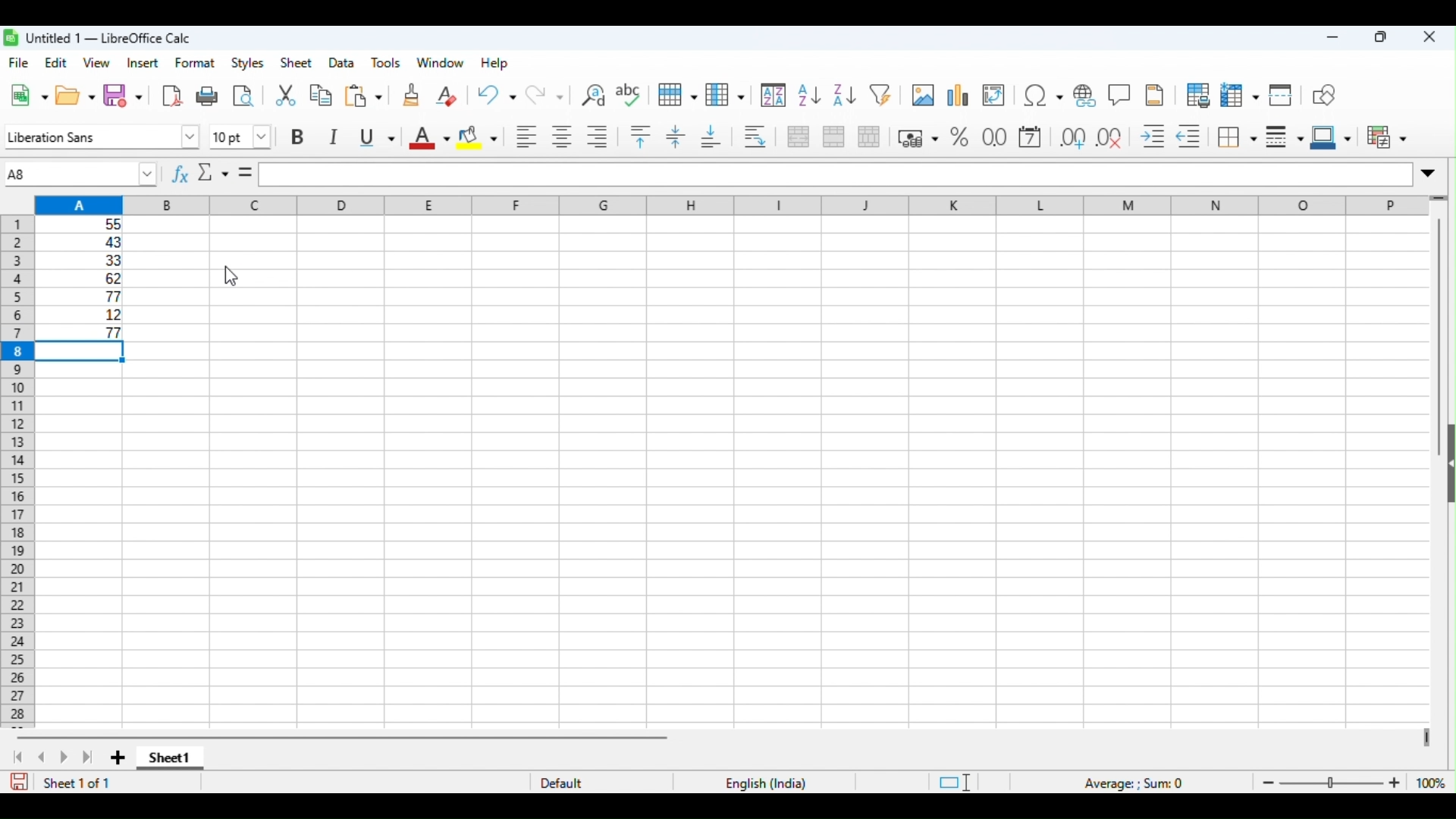  I want to click on toggle print preview, so click(244, 96).